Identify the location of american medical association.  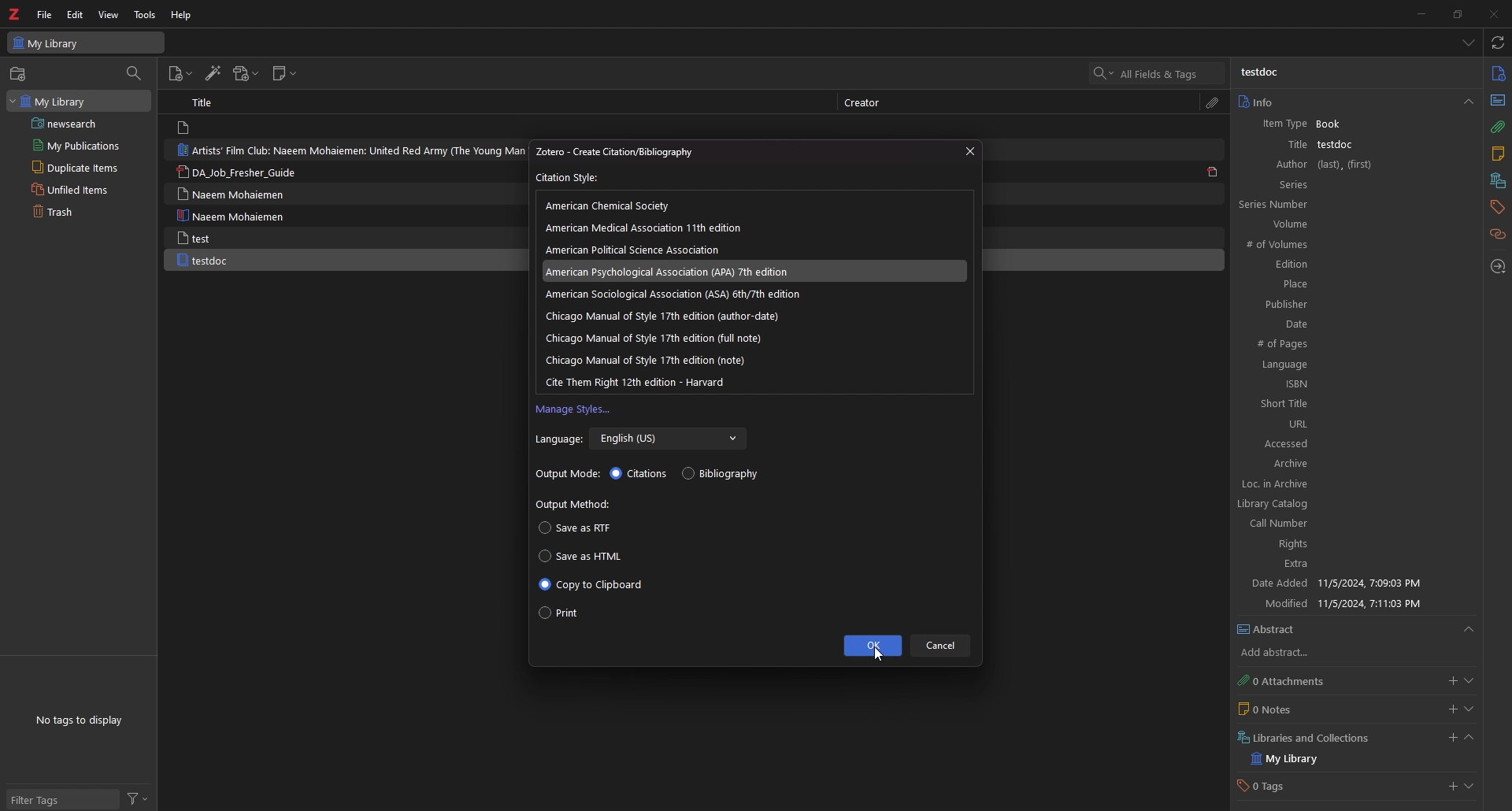
(653, 228).